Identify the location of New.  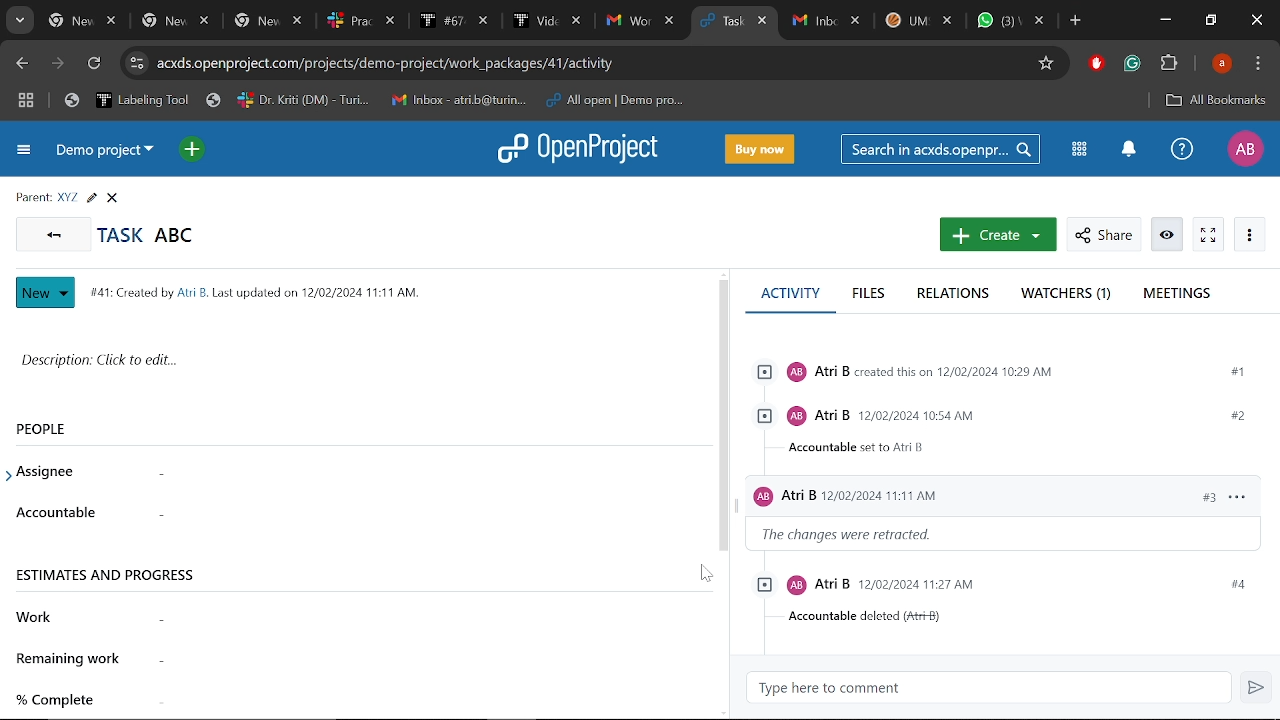
(46, 293).